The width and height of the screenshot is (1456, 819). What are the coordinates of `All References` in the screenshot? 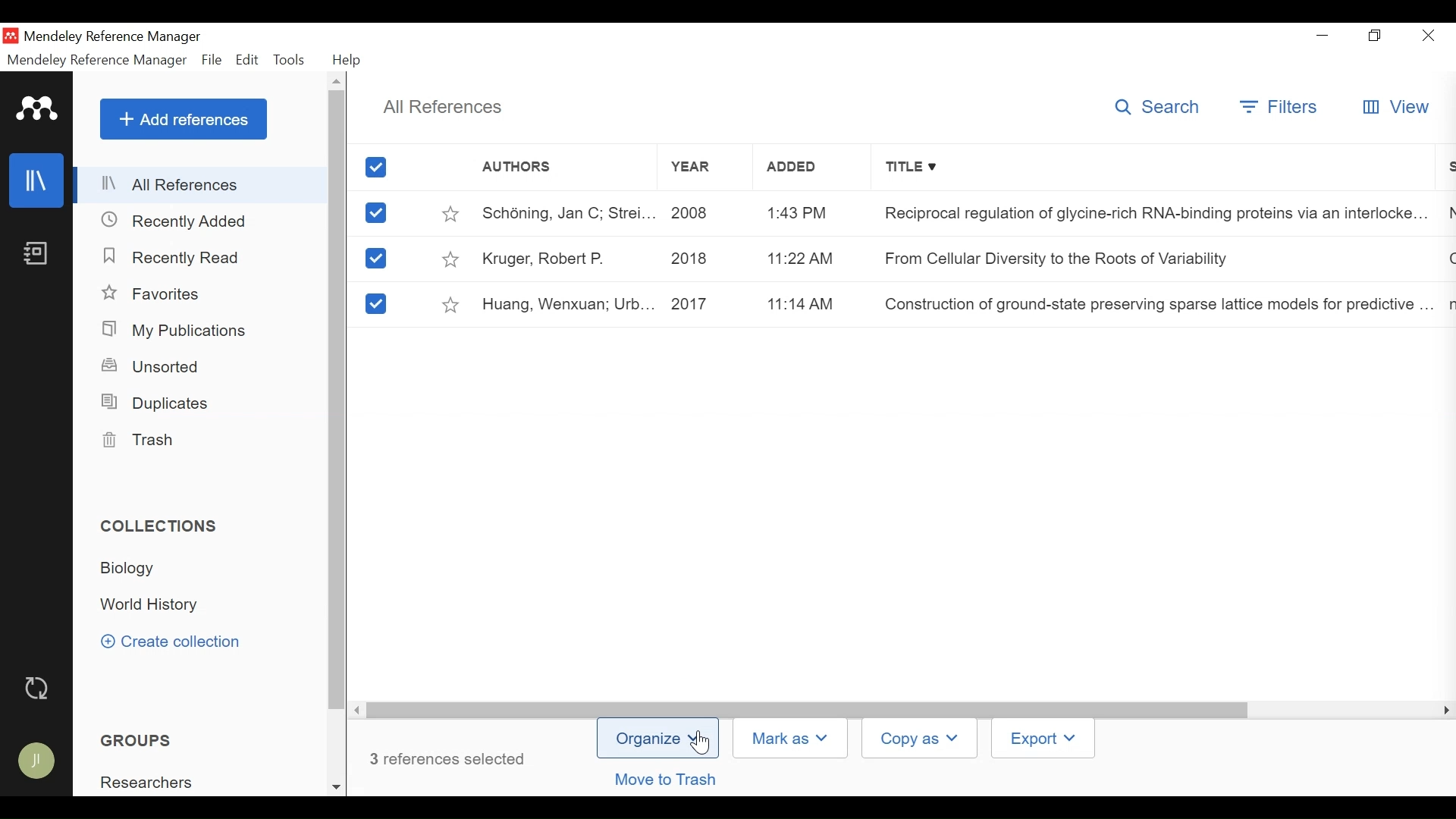 It's located at (202, 187).